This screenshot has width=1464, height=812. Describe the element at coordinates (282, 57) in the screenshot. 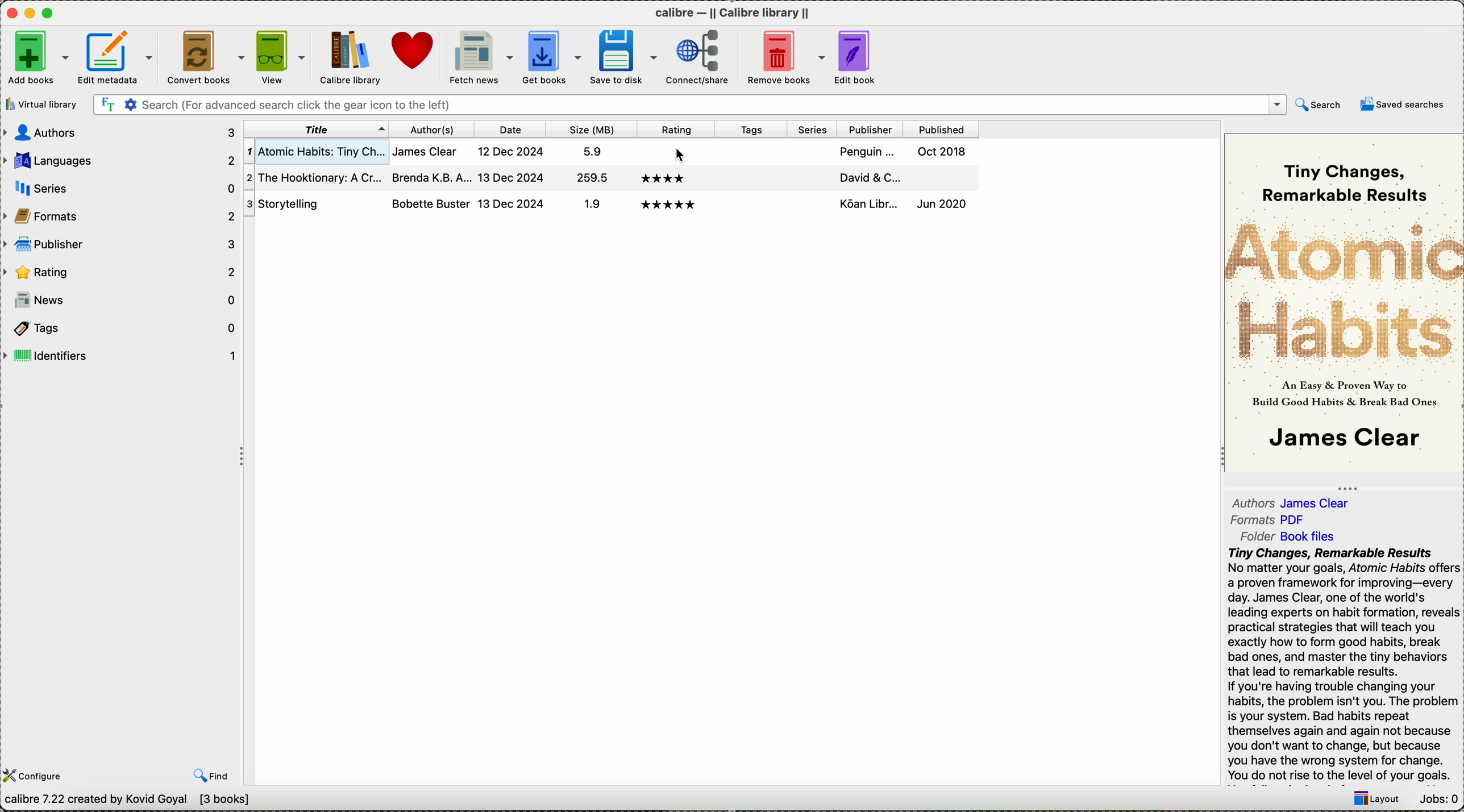

I see `view` at that location.